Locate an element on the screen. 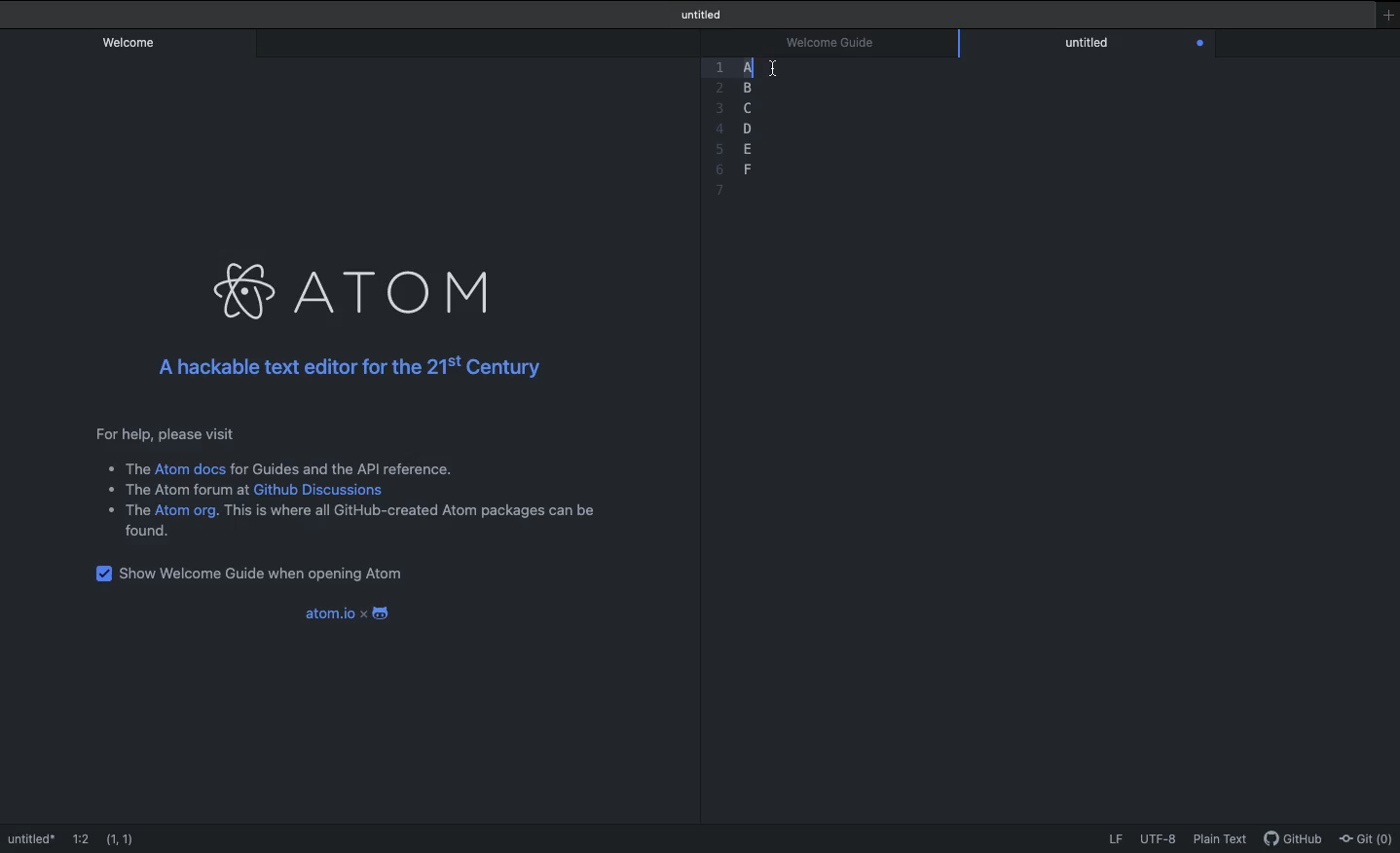  (1,1) is located at coordinates (122, 837).